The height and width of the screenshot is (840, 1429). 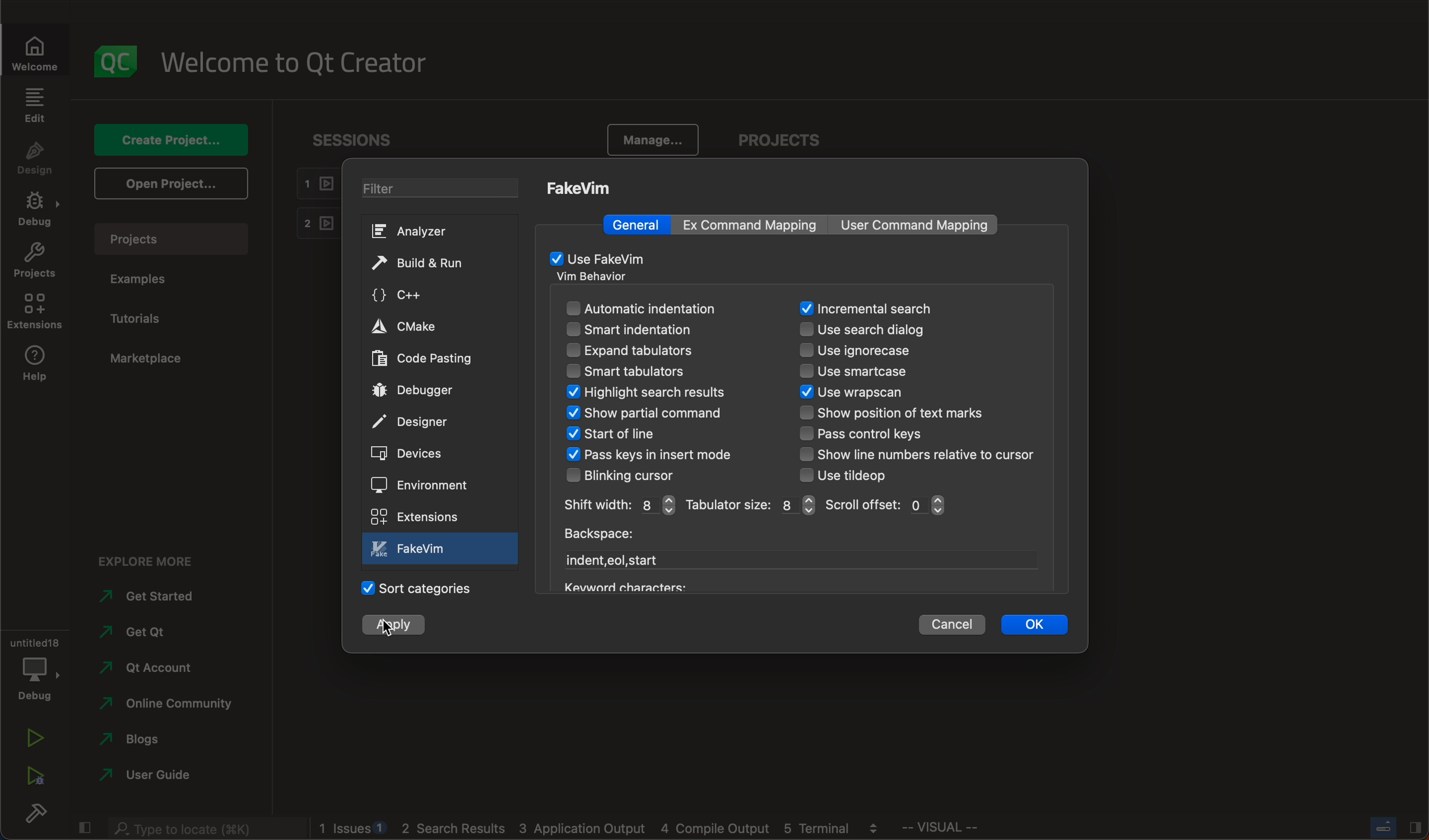 I want to click on tiledop, so click(x=853, y=476).